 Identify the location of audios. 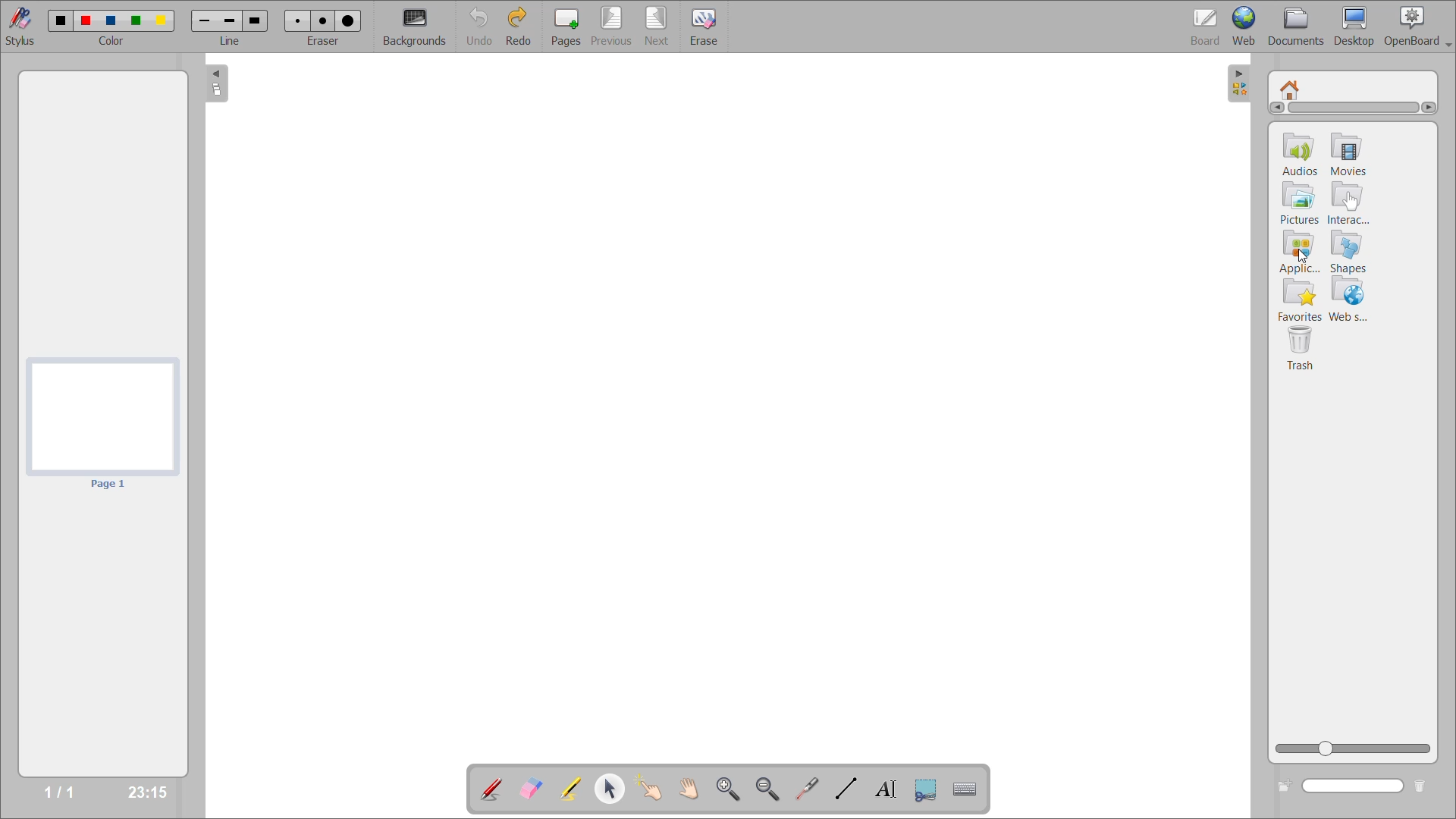
(1301, 152).